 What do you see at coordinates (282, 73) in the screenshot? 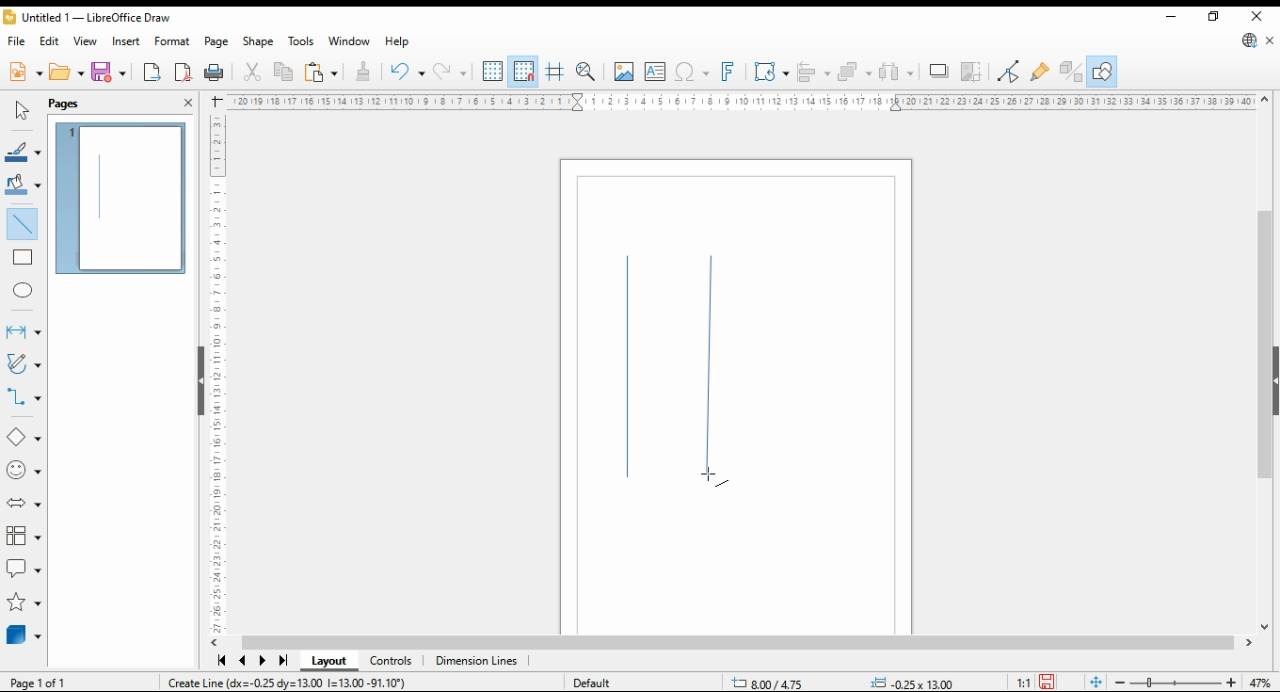
I see `copy` at bounding box center [282, 73].